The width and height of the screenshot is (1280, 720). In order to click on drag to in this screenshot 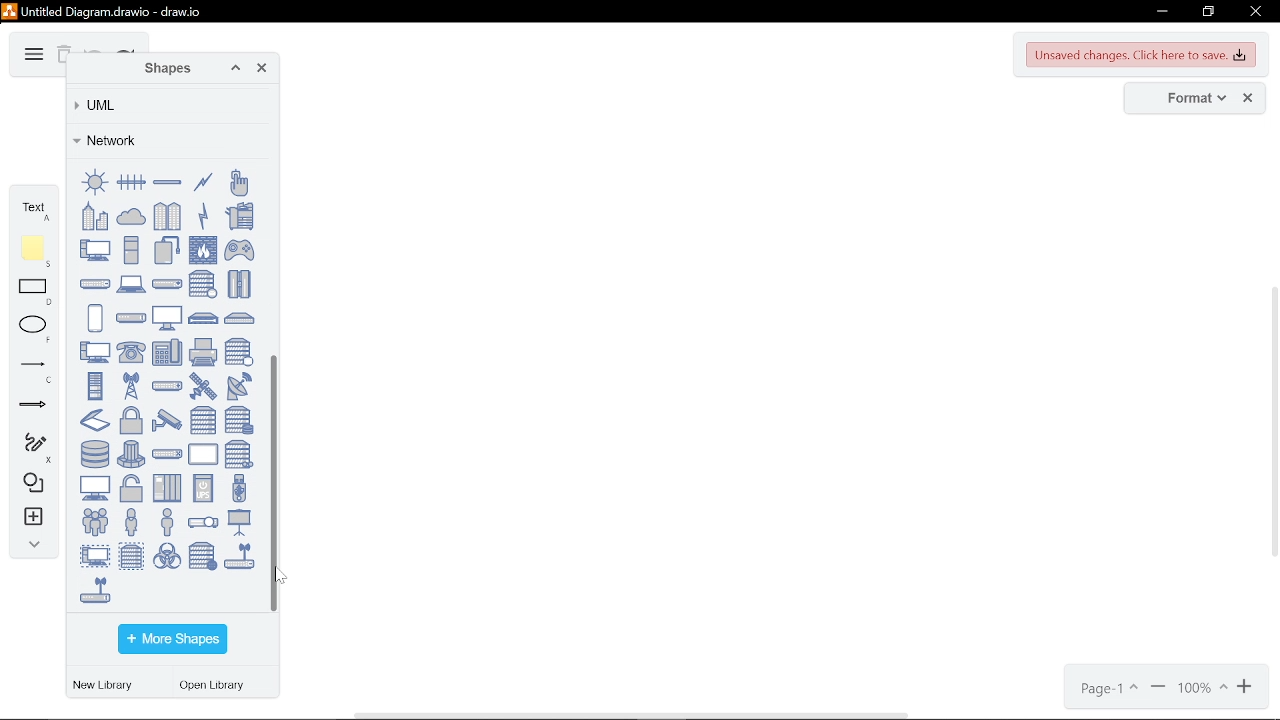, I will do `click(280, 574)`.